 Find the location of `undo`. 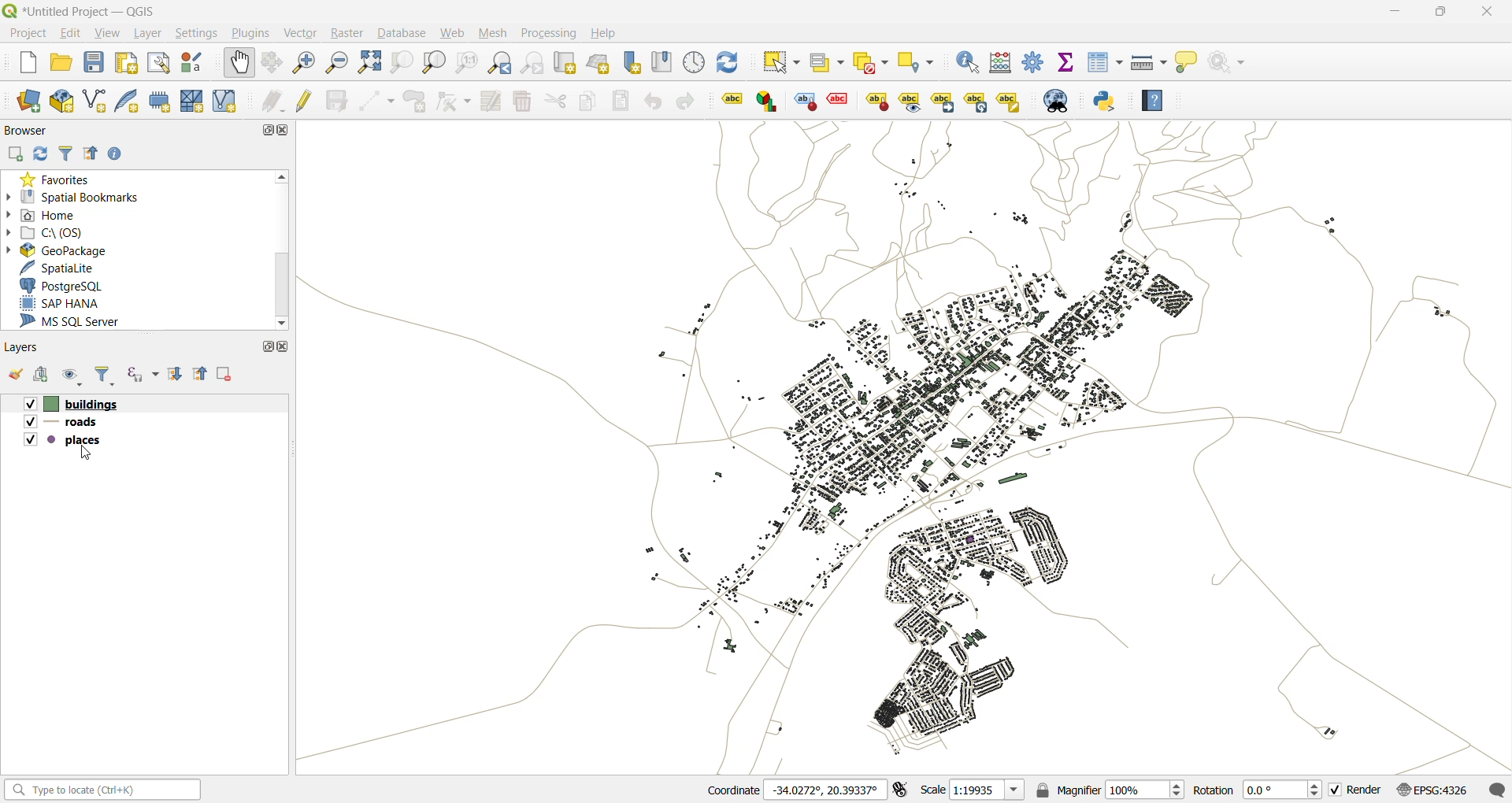

undo is located at coordinates (654, 102).